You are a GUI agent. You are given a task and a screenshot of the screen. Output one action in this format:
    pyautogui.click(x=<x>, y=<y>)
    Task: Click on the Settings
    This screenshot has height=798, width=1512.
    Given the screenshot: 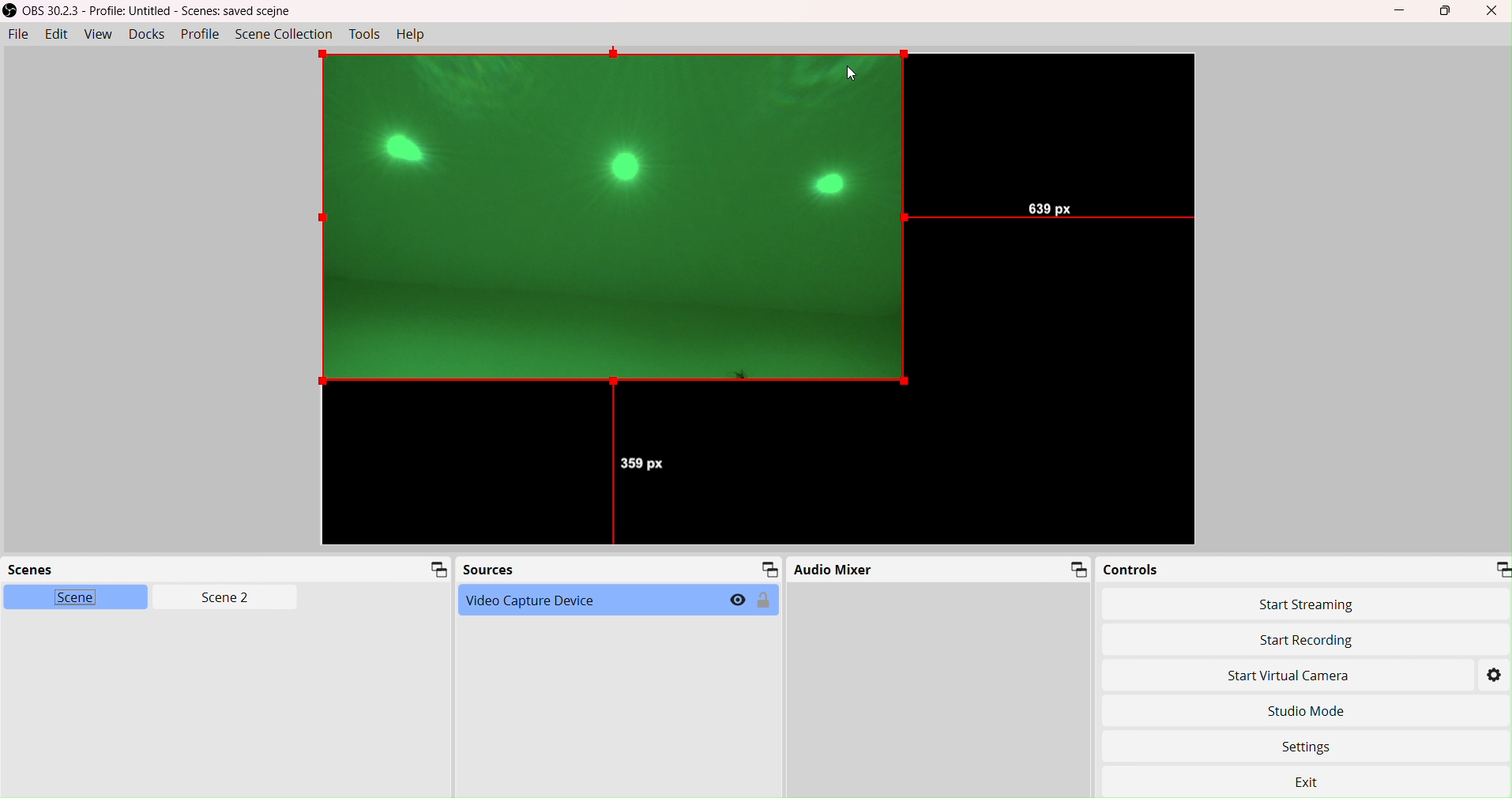 What is the action you would take?
    pyautogui.click(x=1310, y=749)
    